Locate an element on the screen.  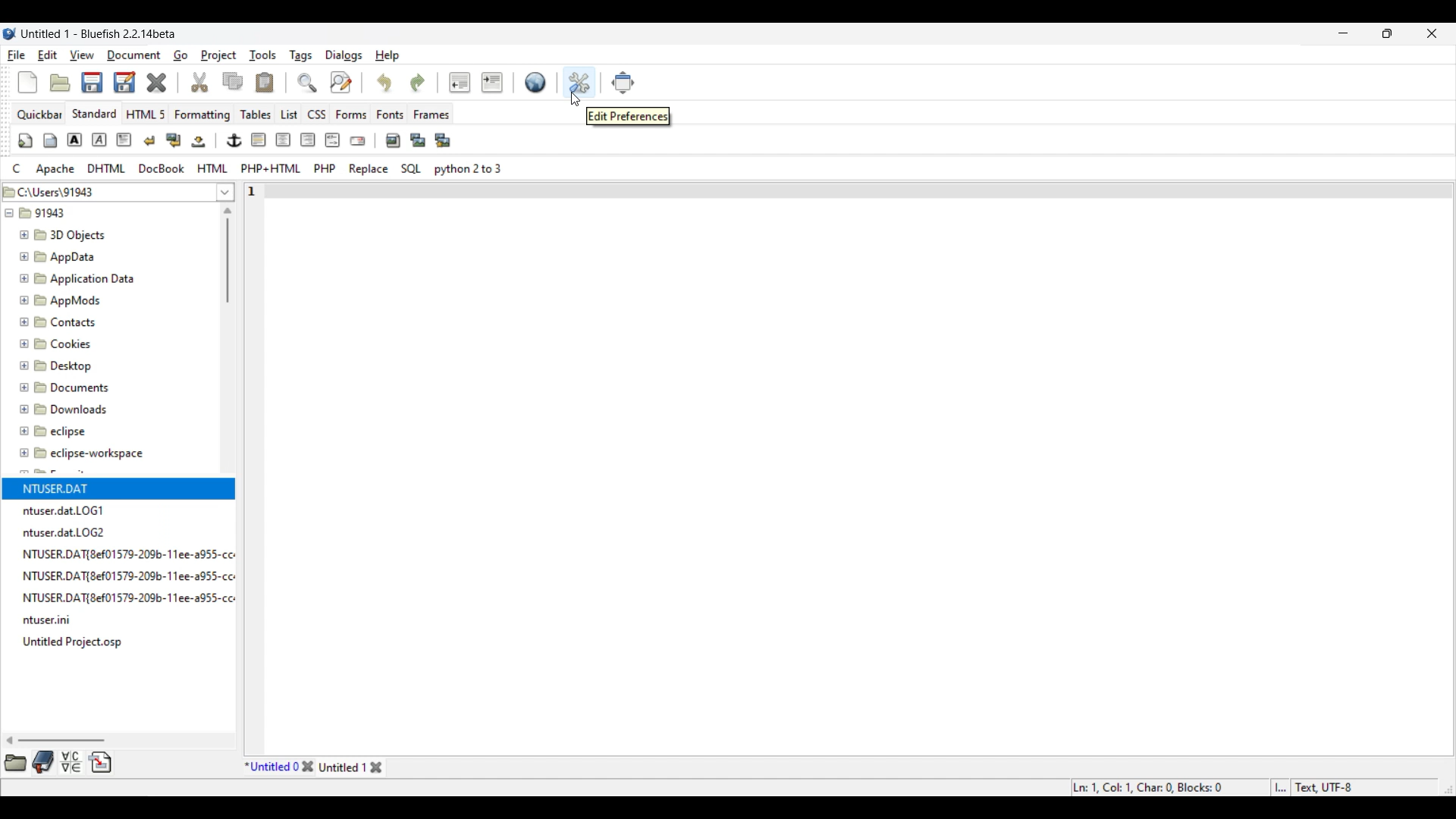
Frames is located at coordinates (432, 115).